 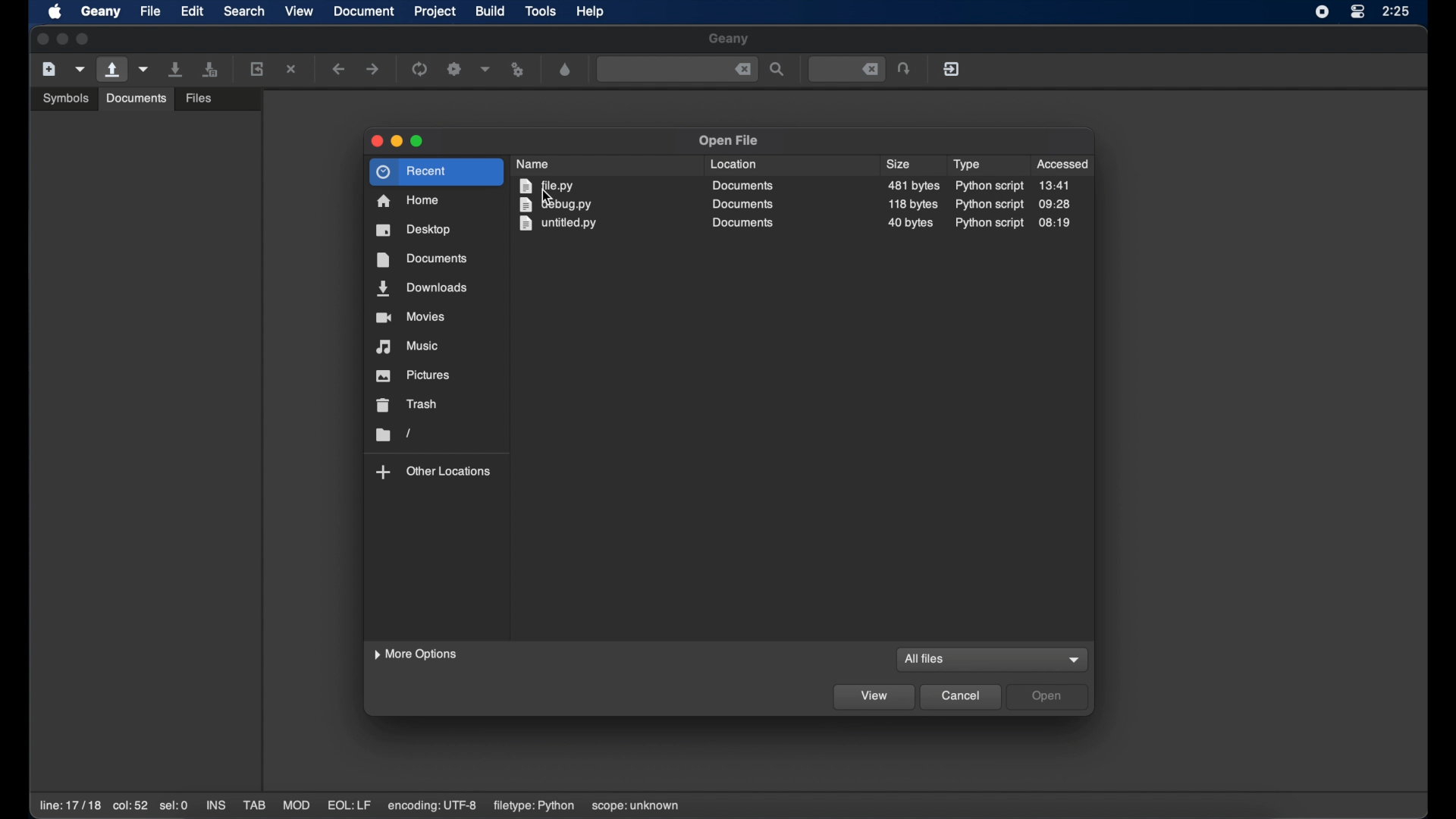 What do you see at coordinates (1046, 697) in the screenshot?
I see `open` at bounding box center [1046, 697].